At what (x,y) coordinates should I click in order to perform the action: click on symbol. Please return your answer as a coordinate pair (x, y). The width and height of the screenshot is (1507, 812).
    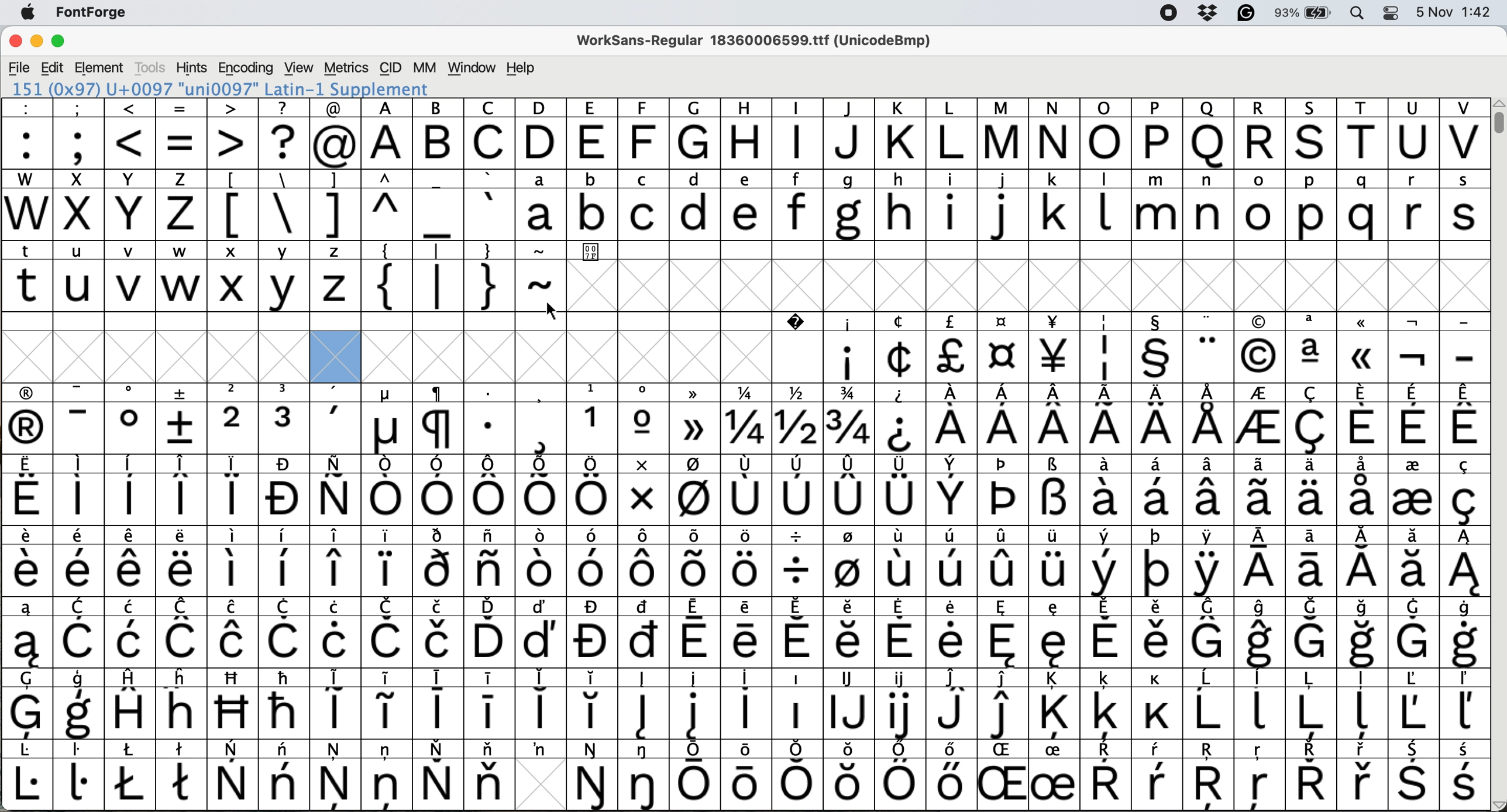
    Looking at the image, I should click on (234, 490).